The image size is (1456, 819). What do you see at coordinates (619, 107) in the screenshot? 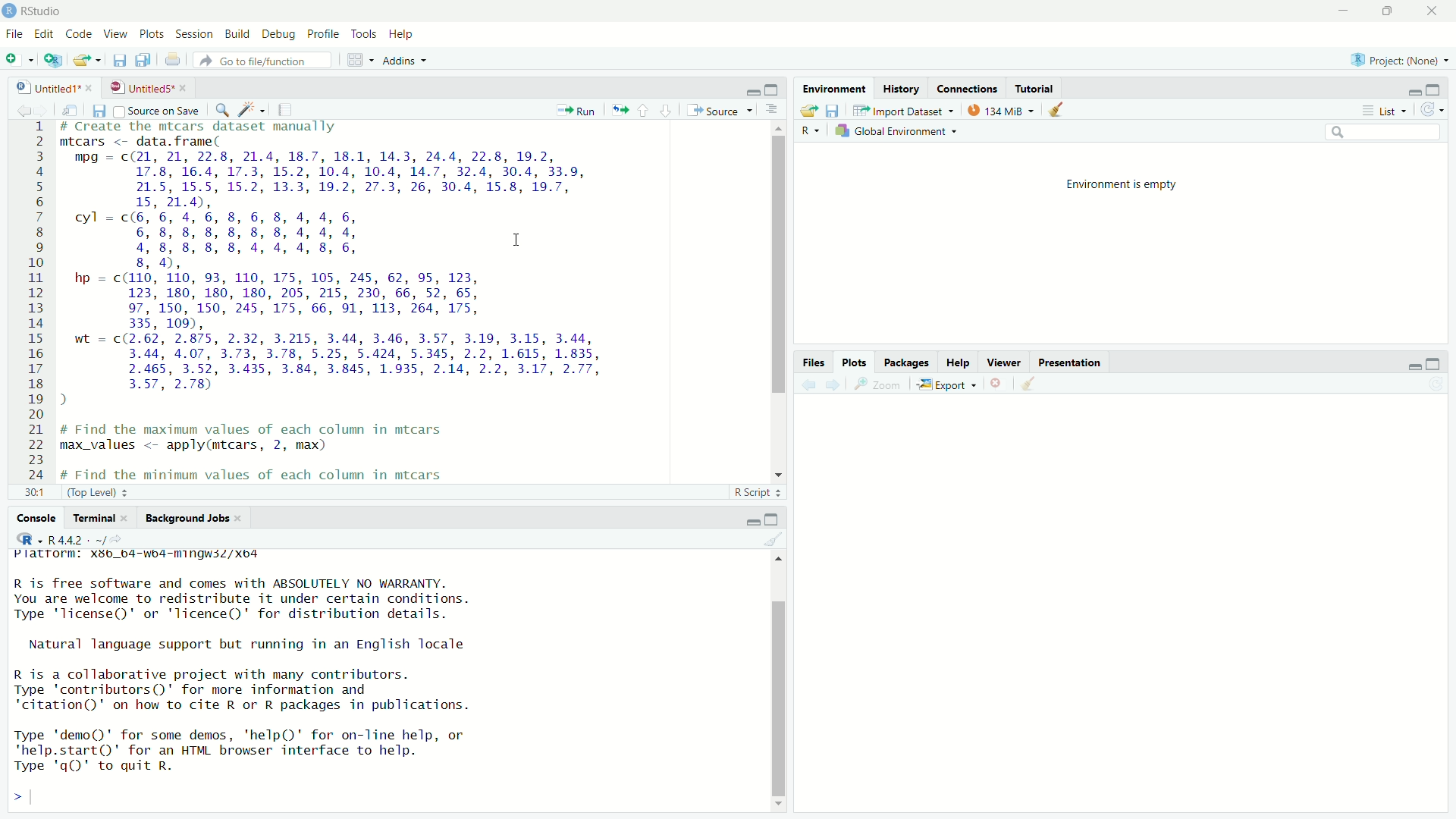
I see `move` at bounding box center [619, 107].